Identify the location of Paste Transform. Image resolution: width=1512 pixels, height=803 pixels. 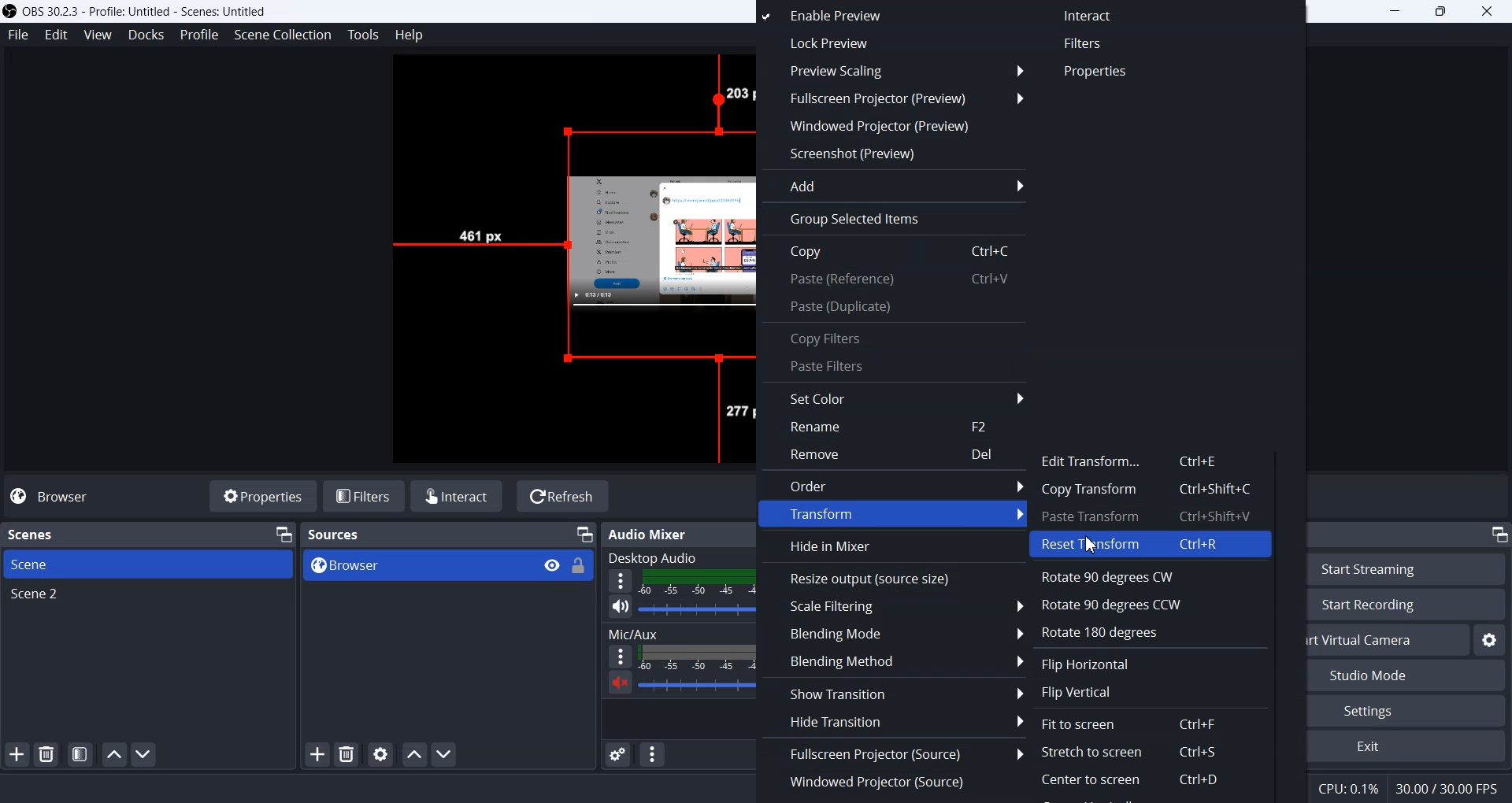
(1151, 515).